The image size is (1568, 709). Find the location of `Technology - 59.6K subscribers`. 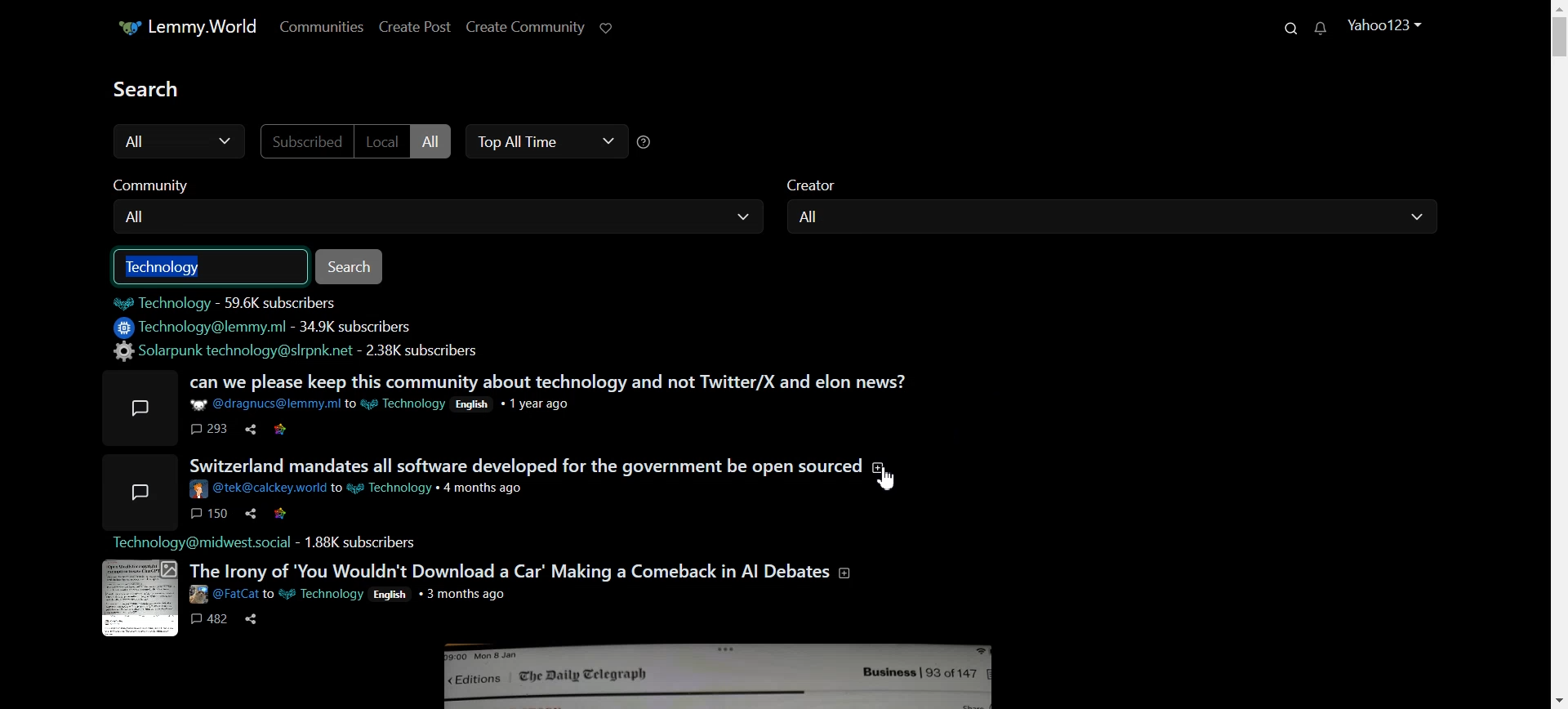

Technology - 59.6K subscribers is located at coordinates (234, 302).